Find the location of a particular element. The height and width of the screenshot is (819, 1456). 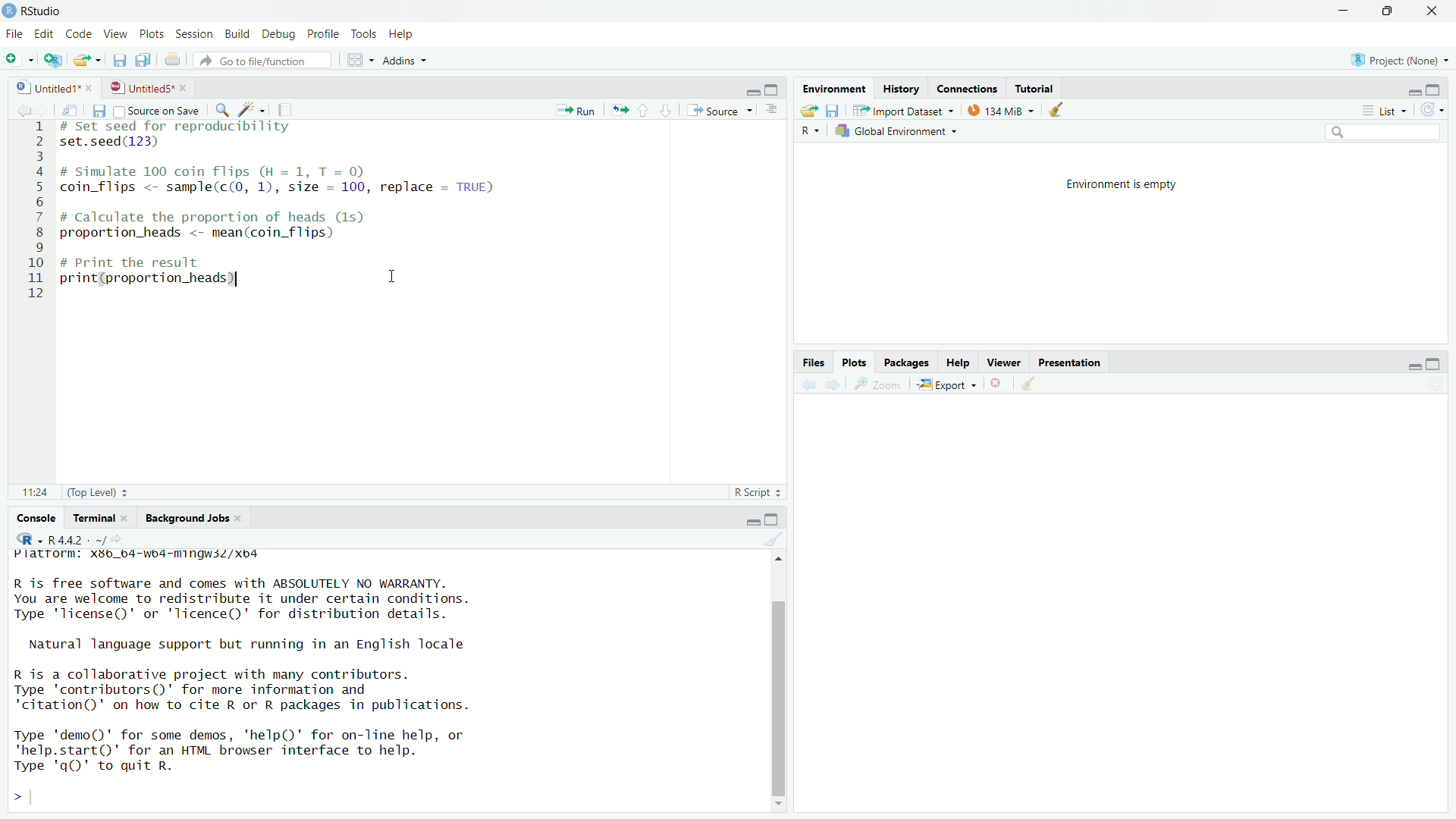

clear objects from the workspace is located at coordinates (1060, 110).